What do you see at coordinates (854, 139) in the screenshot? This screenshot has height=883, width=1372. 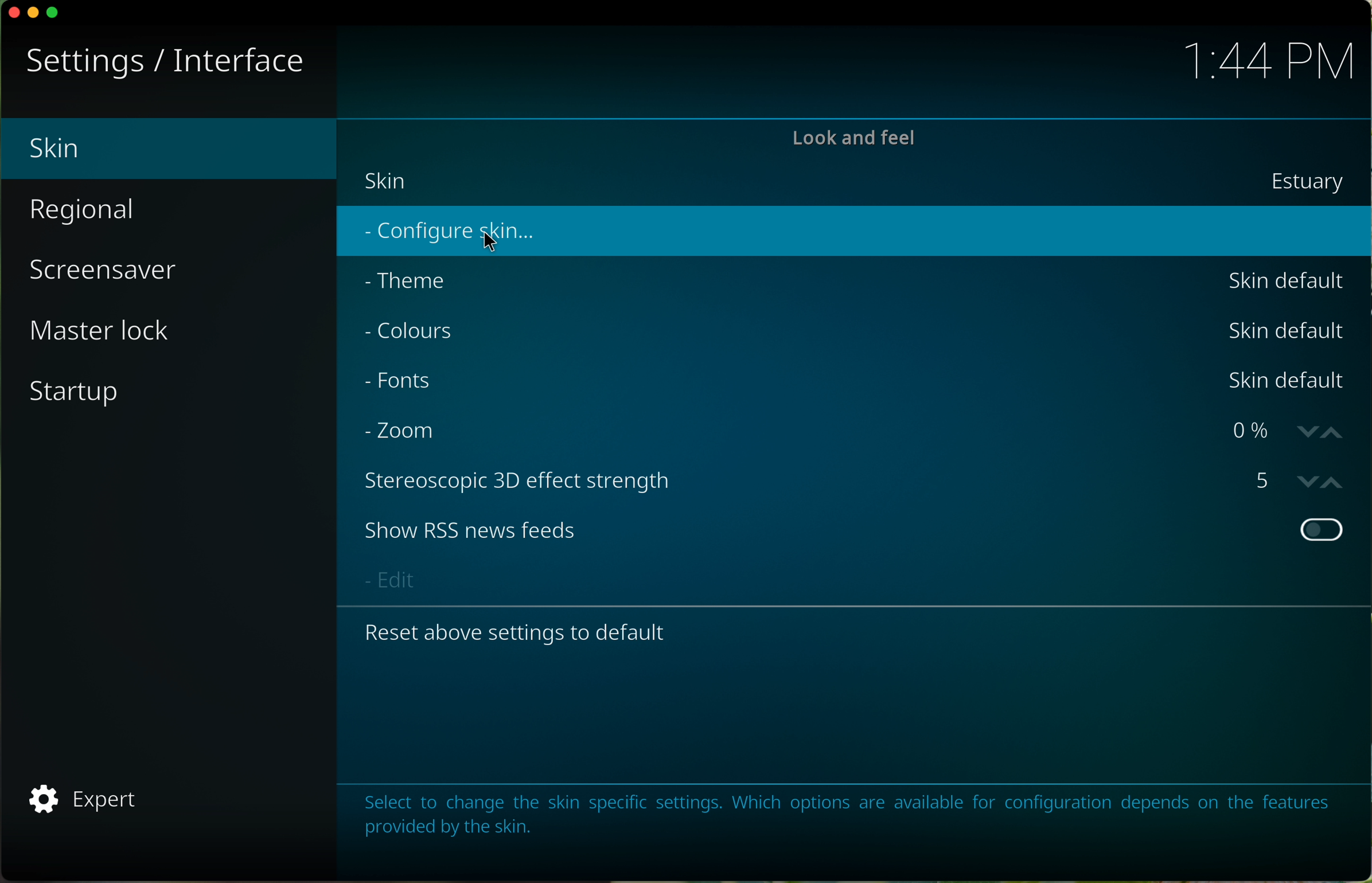 I see `look and feel` at bounding box center [854, 139].